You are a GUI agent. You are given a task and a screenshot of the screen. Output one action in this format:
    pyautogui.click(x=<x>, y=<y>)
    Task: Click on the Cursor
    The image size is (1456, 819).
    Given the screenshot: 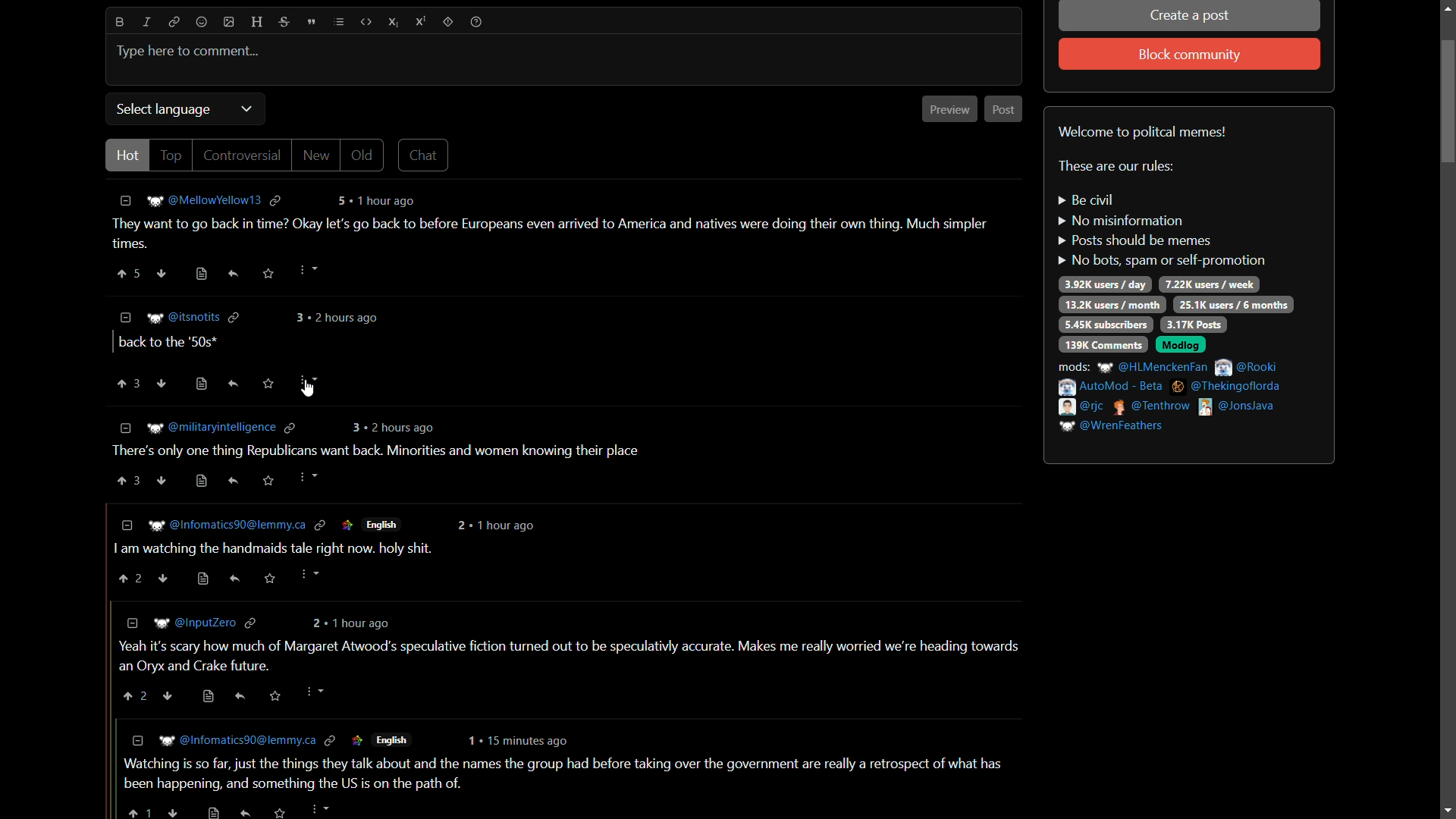 What is the action you would take?
    pyautogui.click(x=306, y=388)
    